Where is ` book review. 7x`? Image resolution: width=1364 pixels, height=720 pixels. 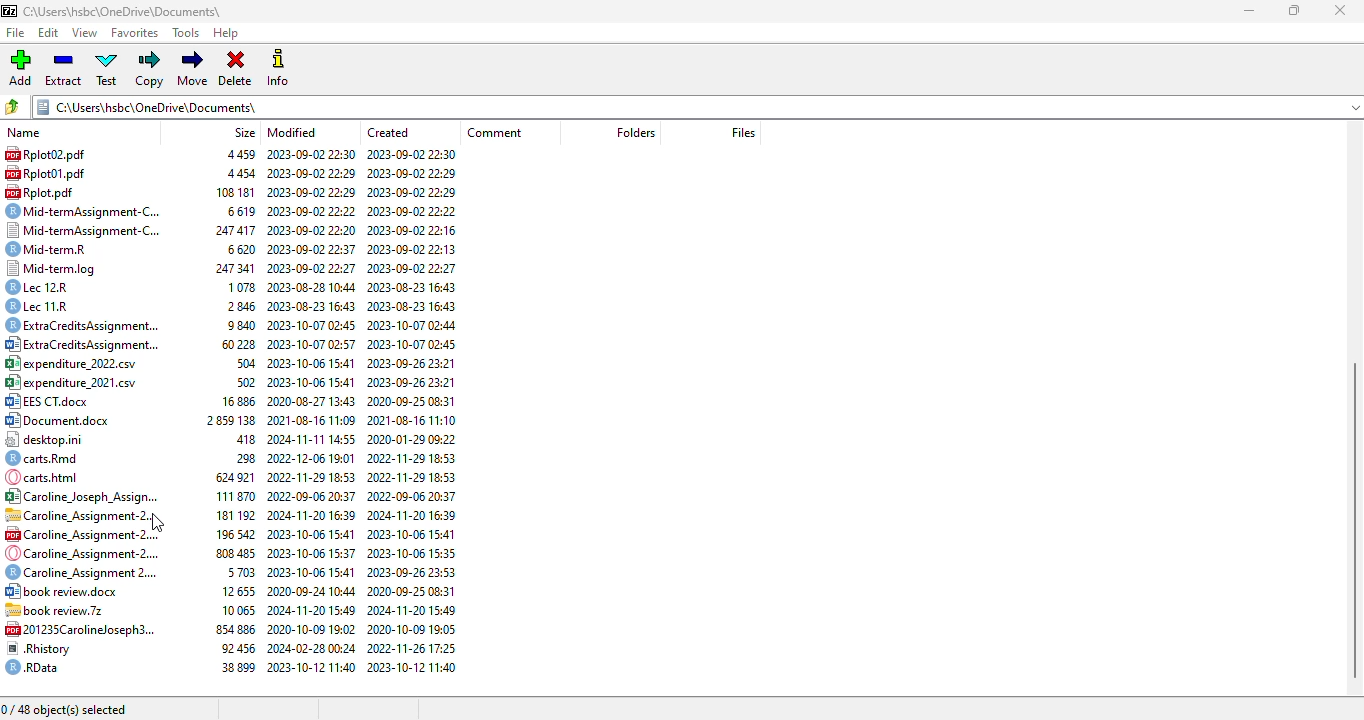  book review. 7x is located at coordinates (60, 609).